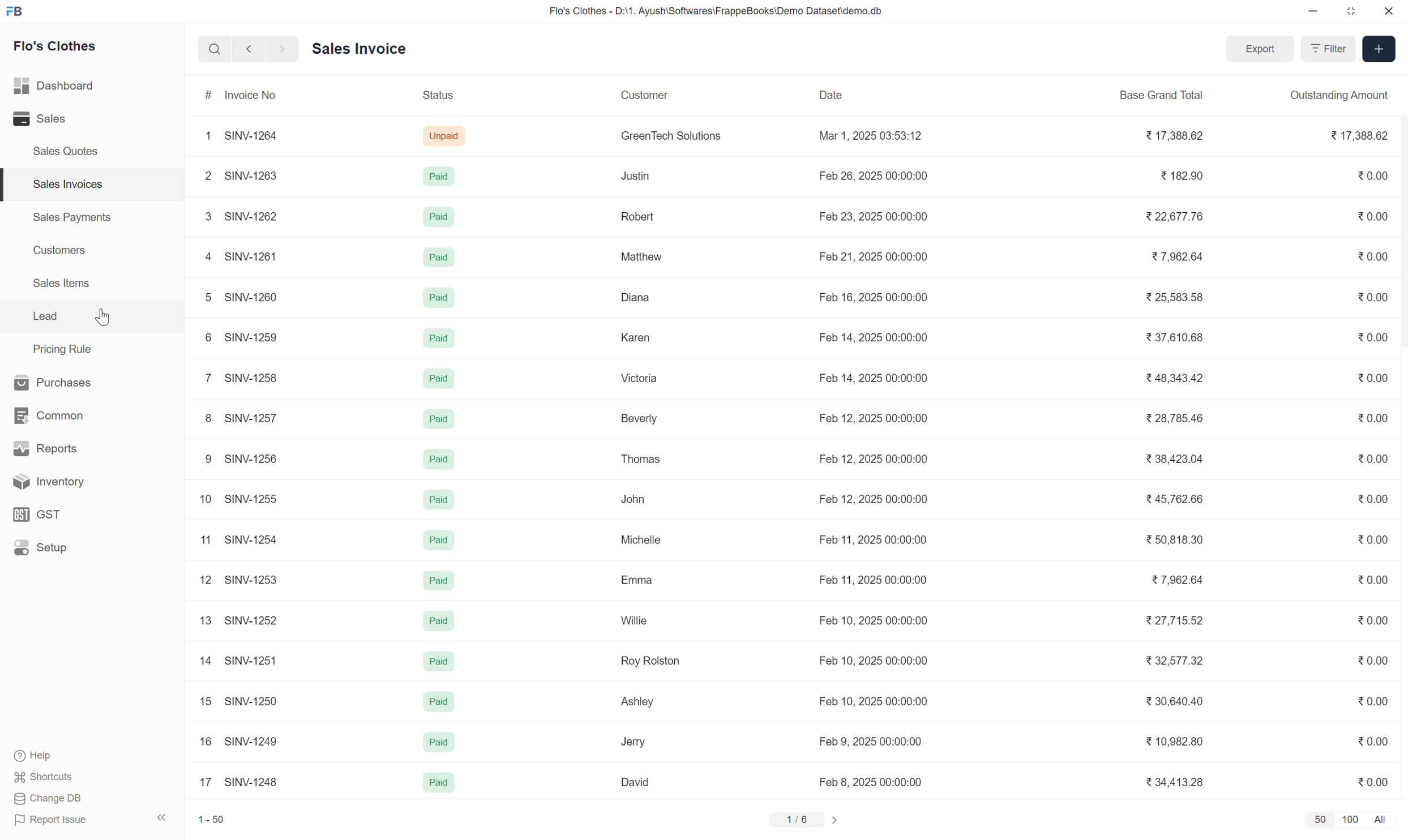  I want to click on Feb 16, 2025 00:00:00, so click(875, 295).